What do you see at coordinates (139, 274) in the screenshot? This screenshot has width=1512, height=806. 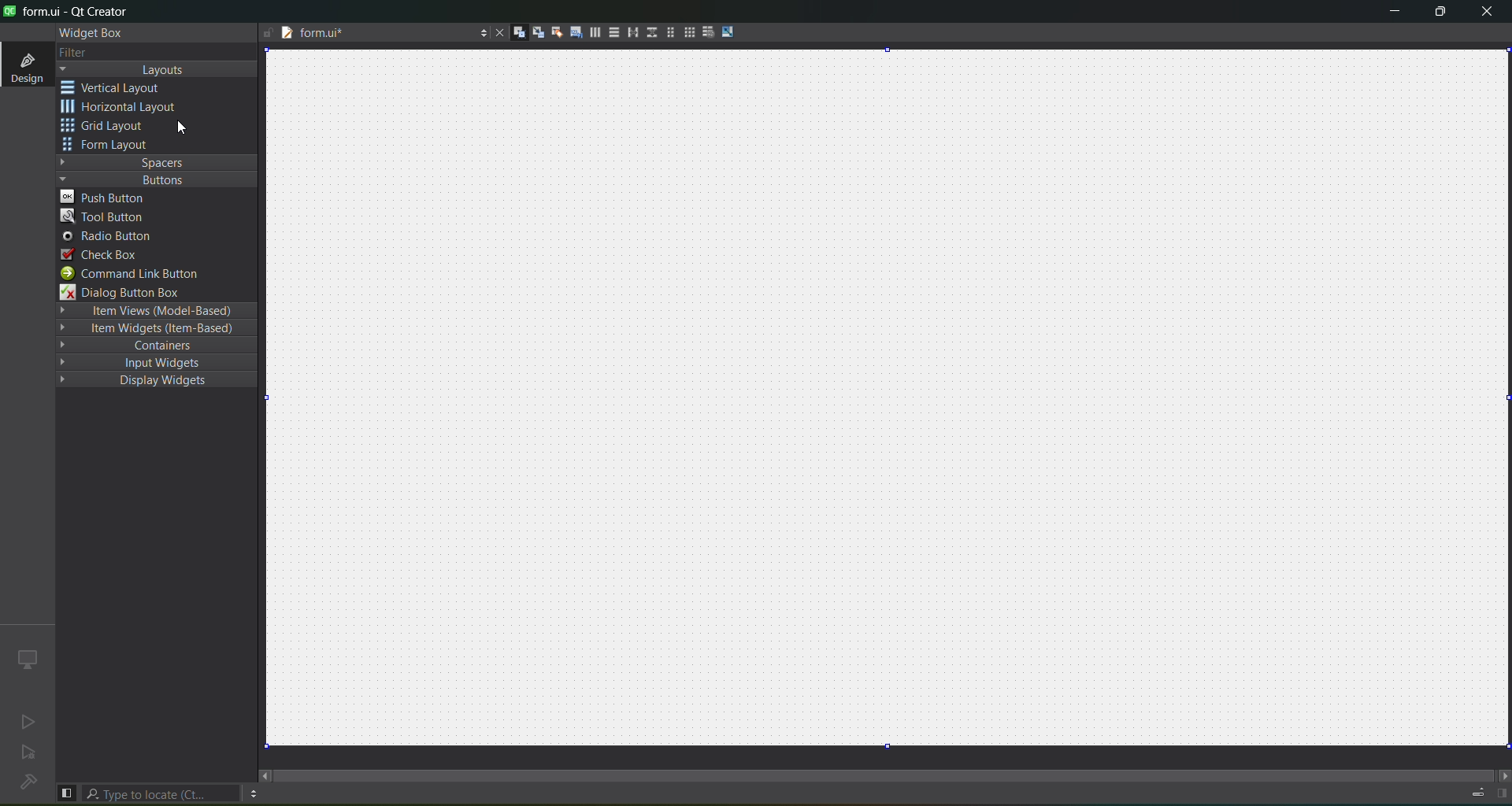 I see `command link button` at bounding box center [139, 274].